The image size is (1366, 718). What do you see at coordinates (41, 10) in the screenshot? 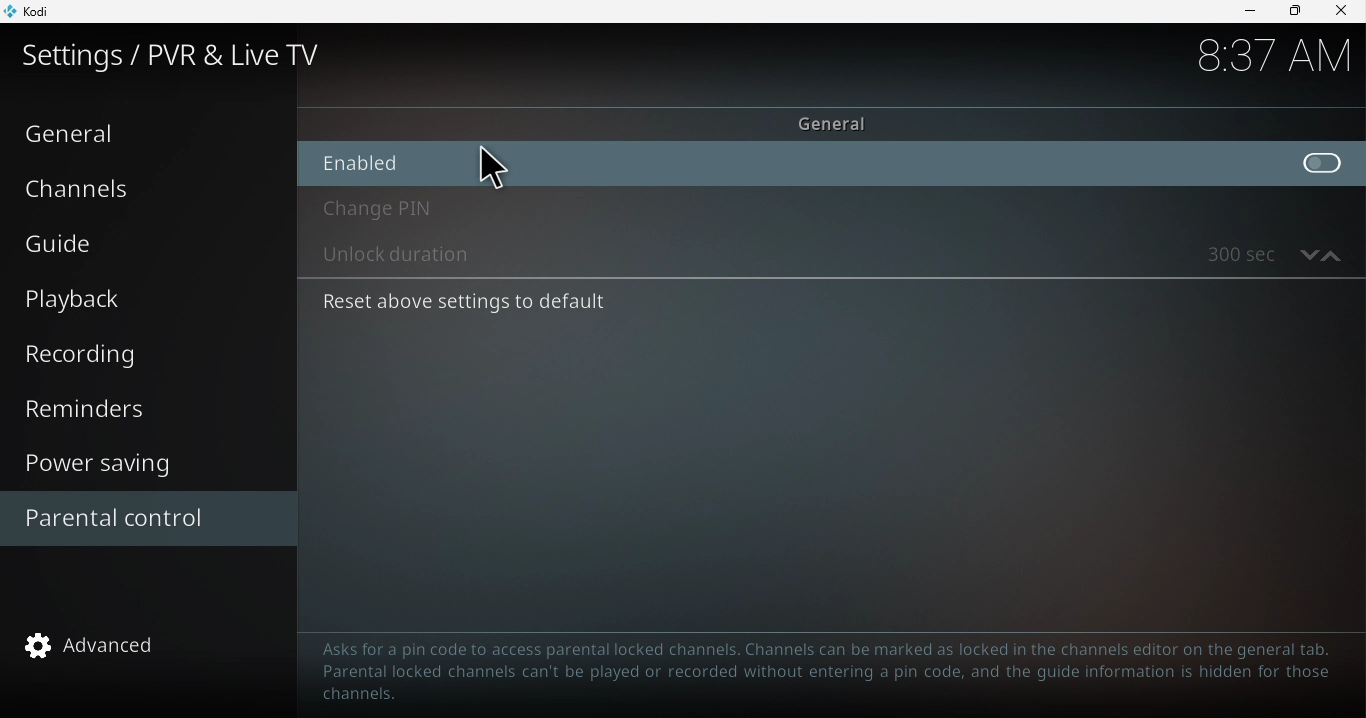
I see `Kodi icon` at bounding box center [41, 10].